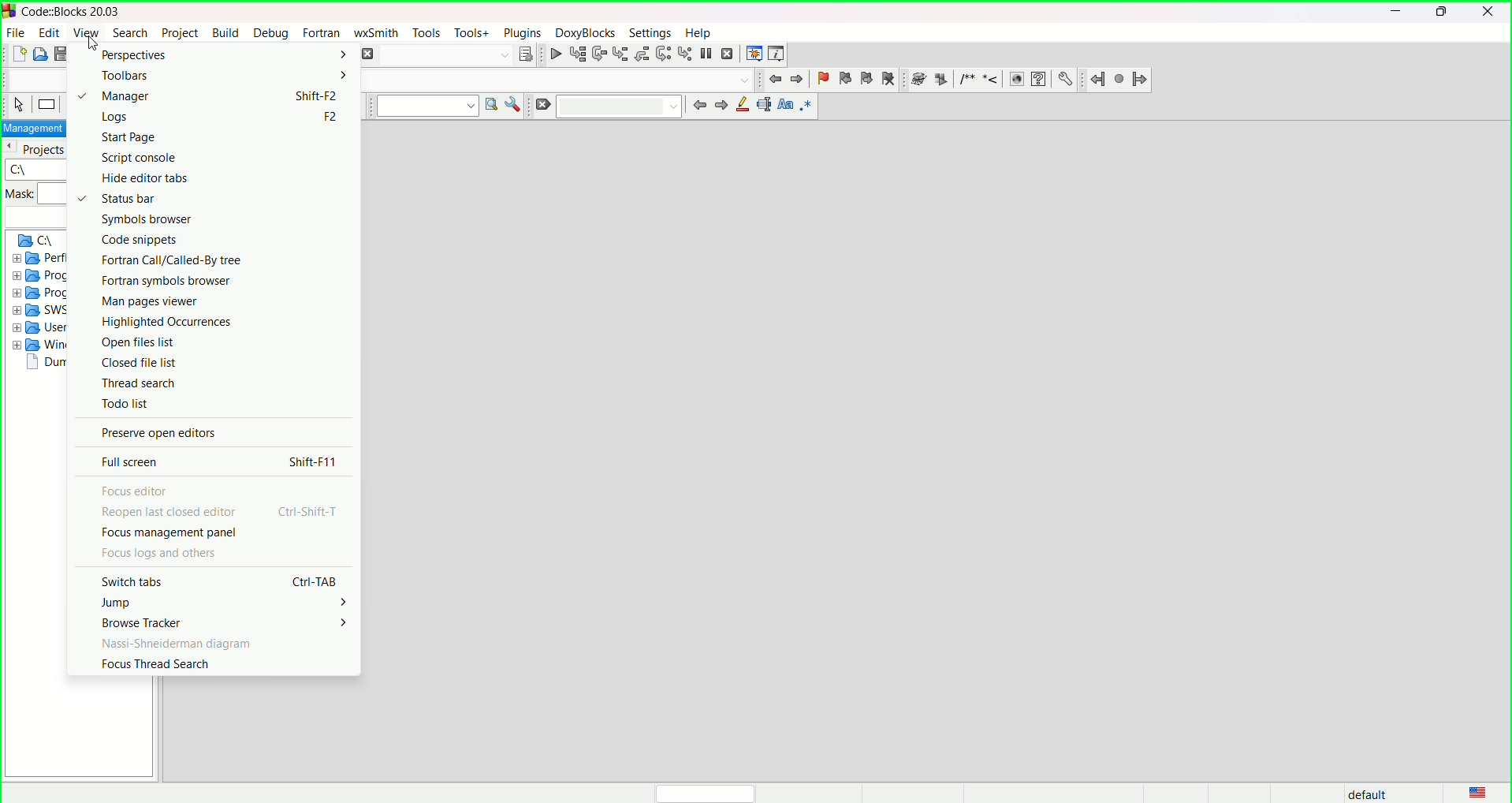 The image size is (1512, 803). Describe the element at coordinates (131, 462) in the screenshot. I see `full screen` at that location.